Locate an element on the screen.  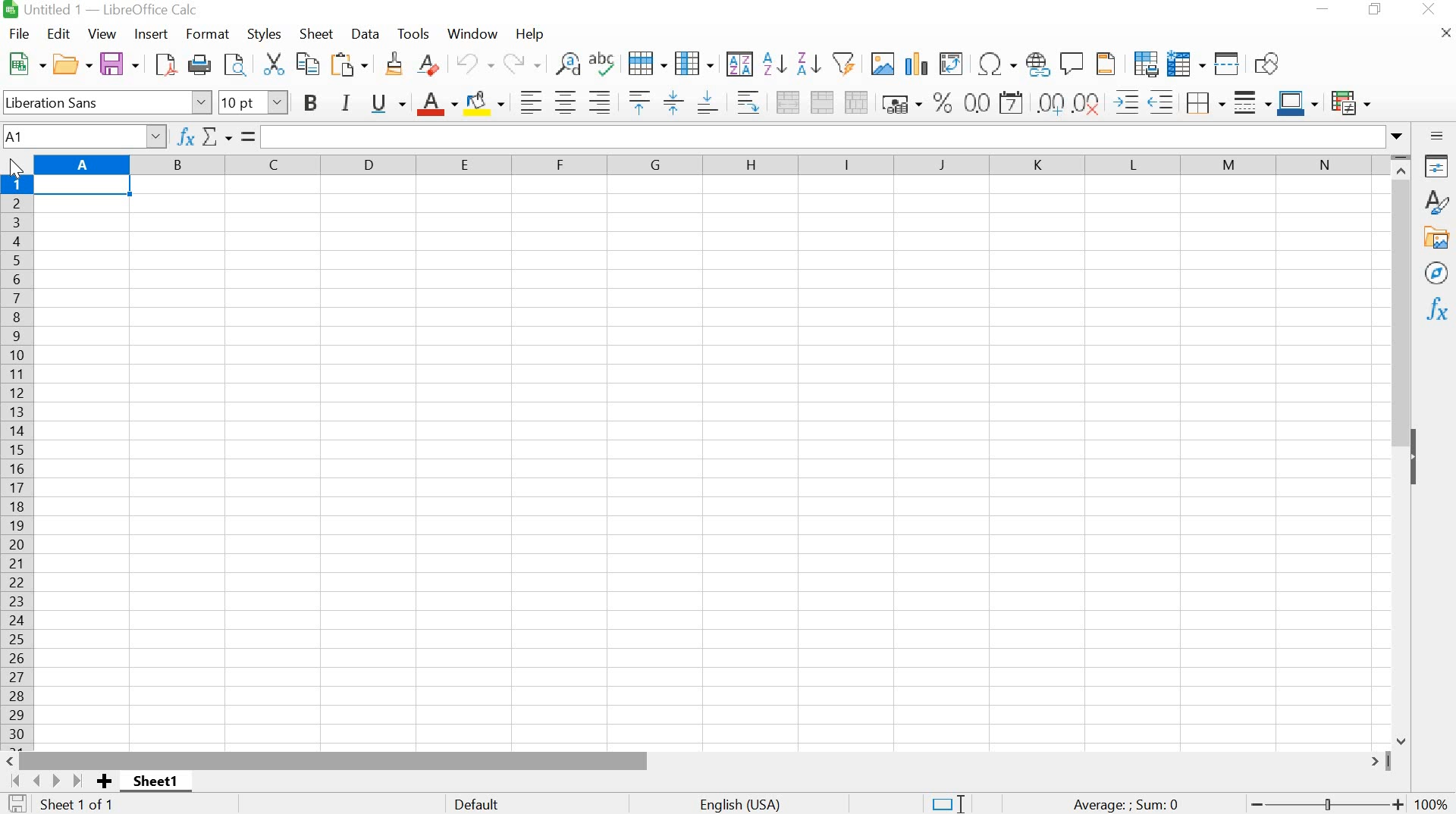
Insert Image is located at coordinates (886, 66).